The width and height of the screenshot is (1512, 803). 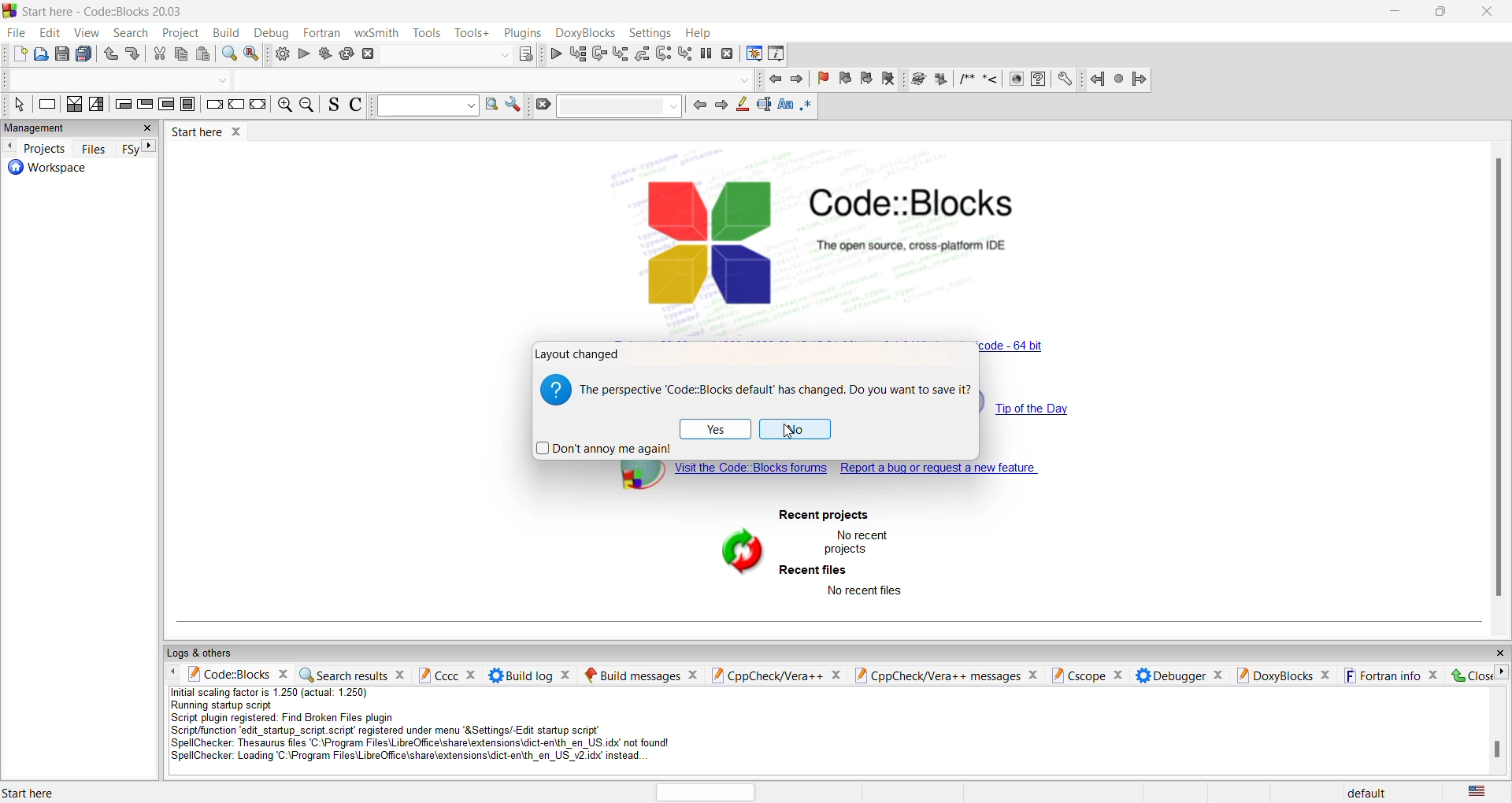 What do you see at coordinates (428, 32) in the screenshot?
I see `tools` at bounding box center [428, 32].